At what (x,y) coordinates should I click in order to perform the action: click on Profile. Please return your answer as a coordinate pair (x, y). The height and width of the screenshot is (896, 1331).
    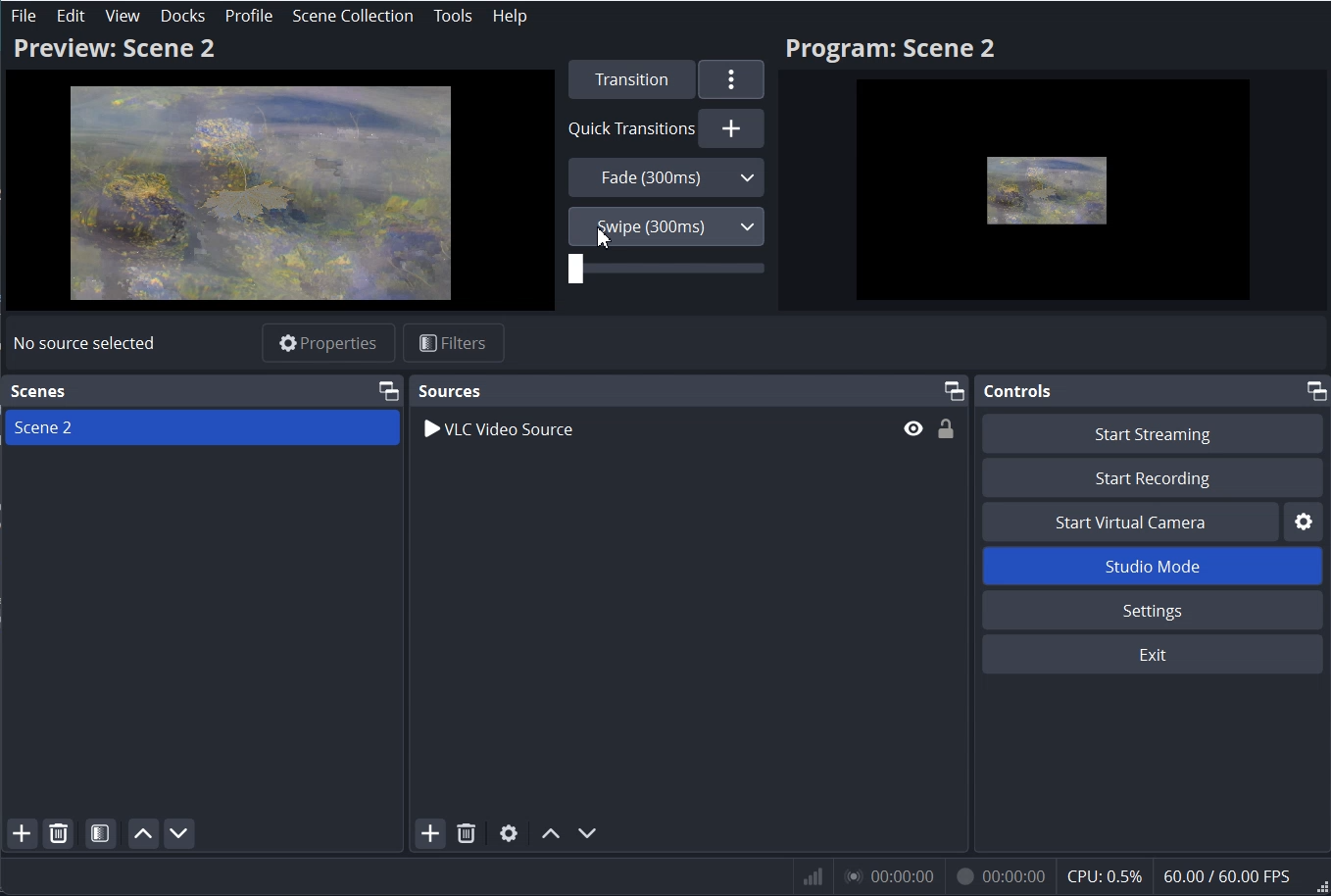
    Looking at the image, I should click on (249, 17).